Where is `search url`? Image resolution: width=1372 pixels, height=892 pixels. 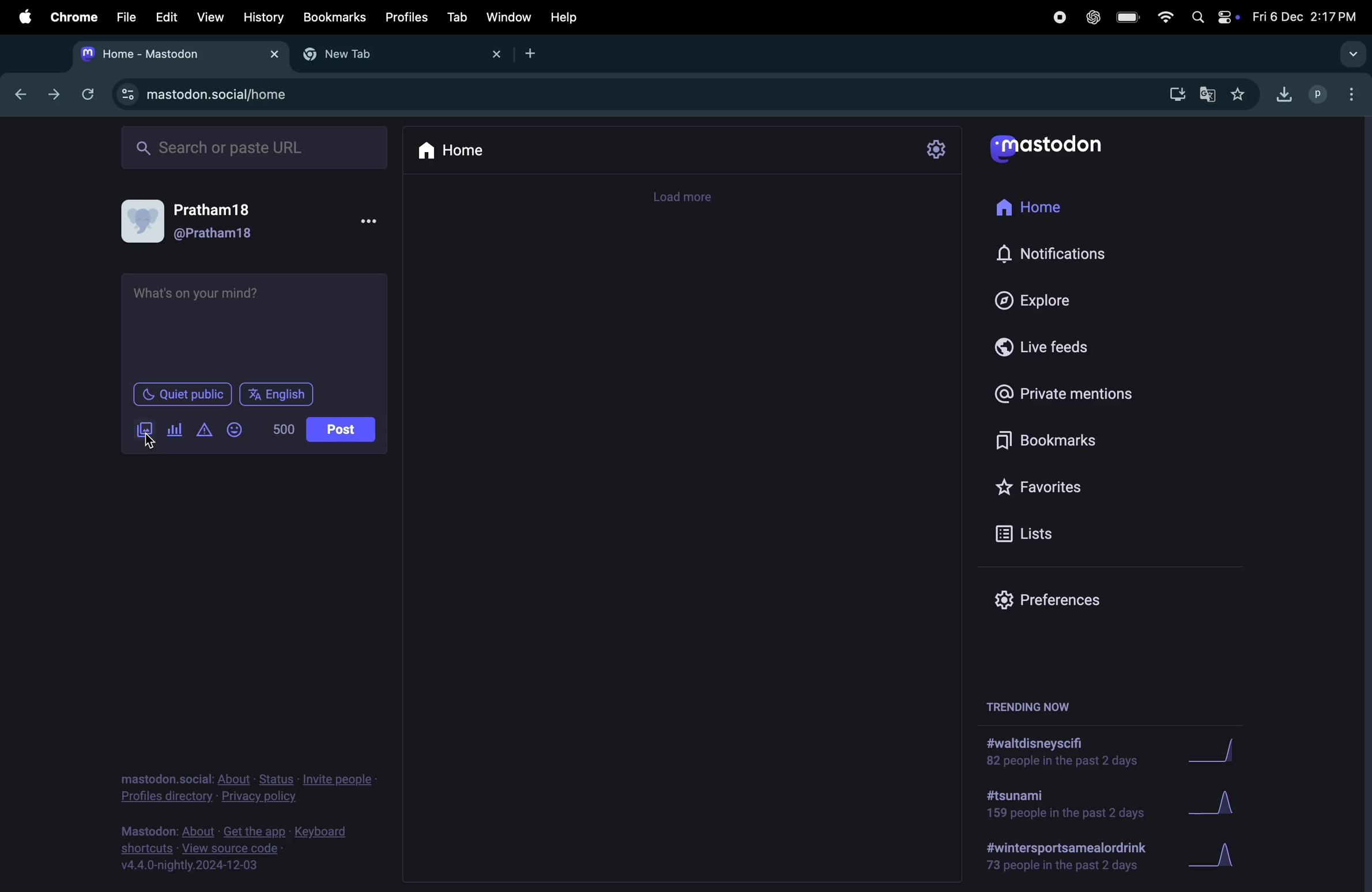 search url is located at coordinates (256, 146).